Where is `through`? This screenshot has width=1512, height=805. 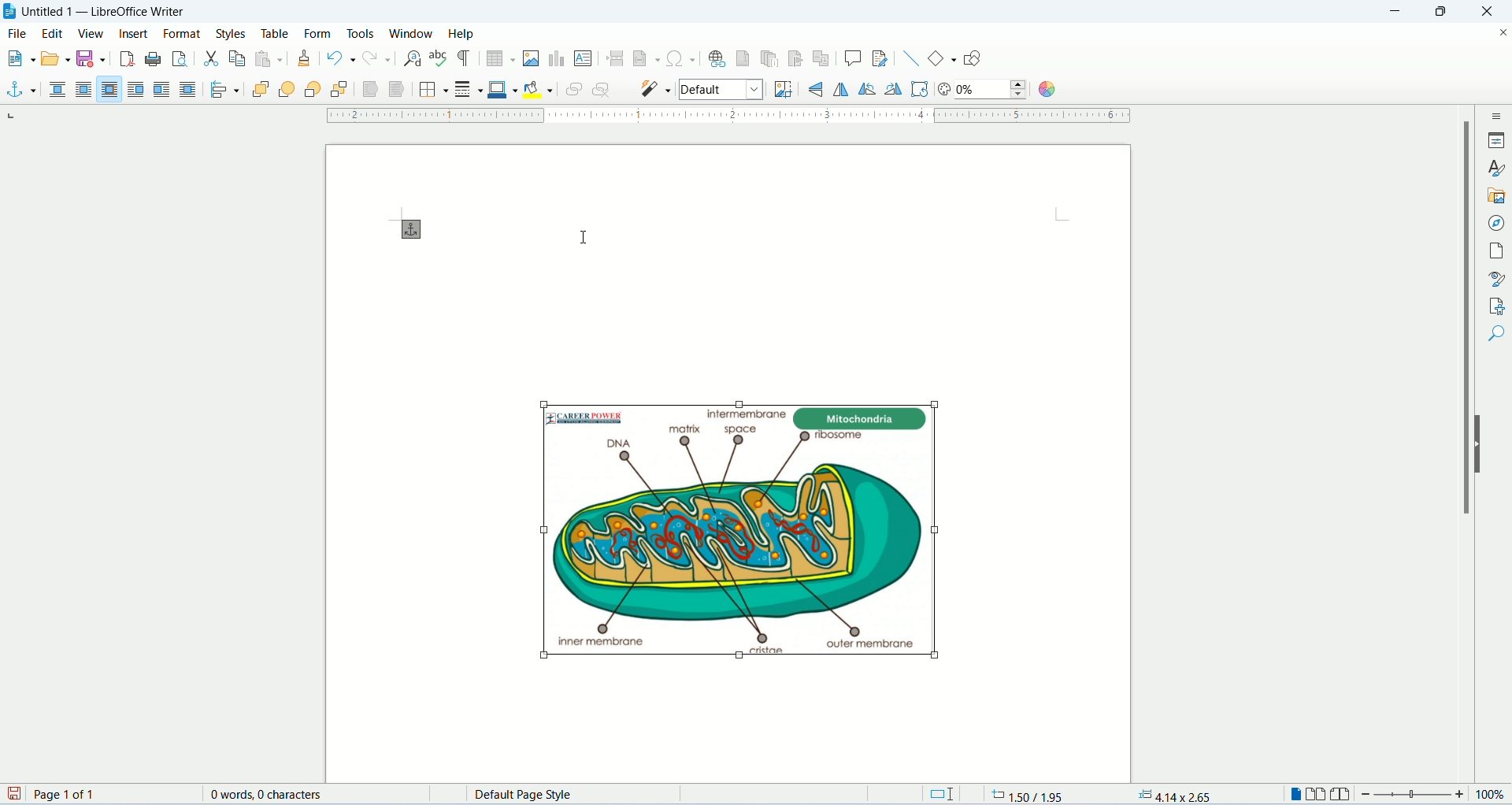
through is located at coordinates (187, 89).